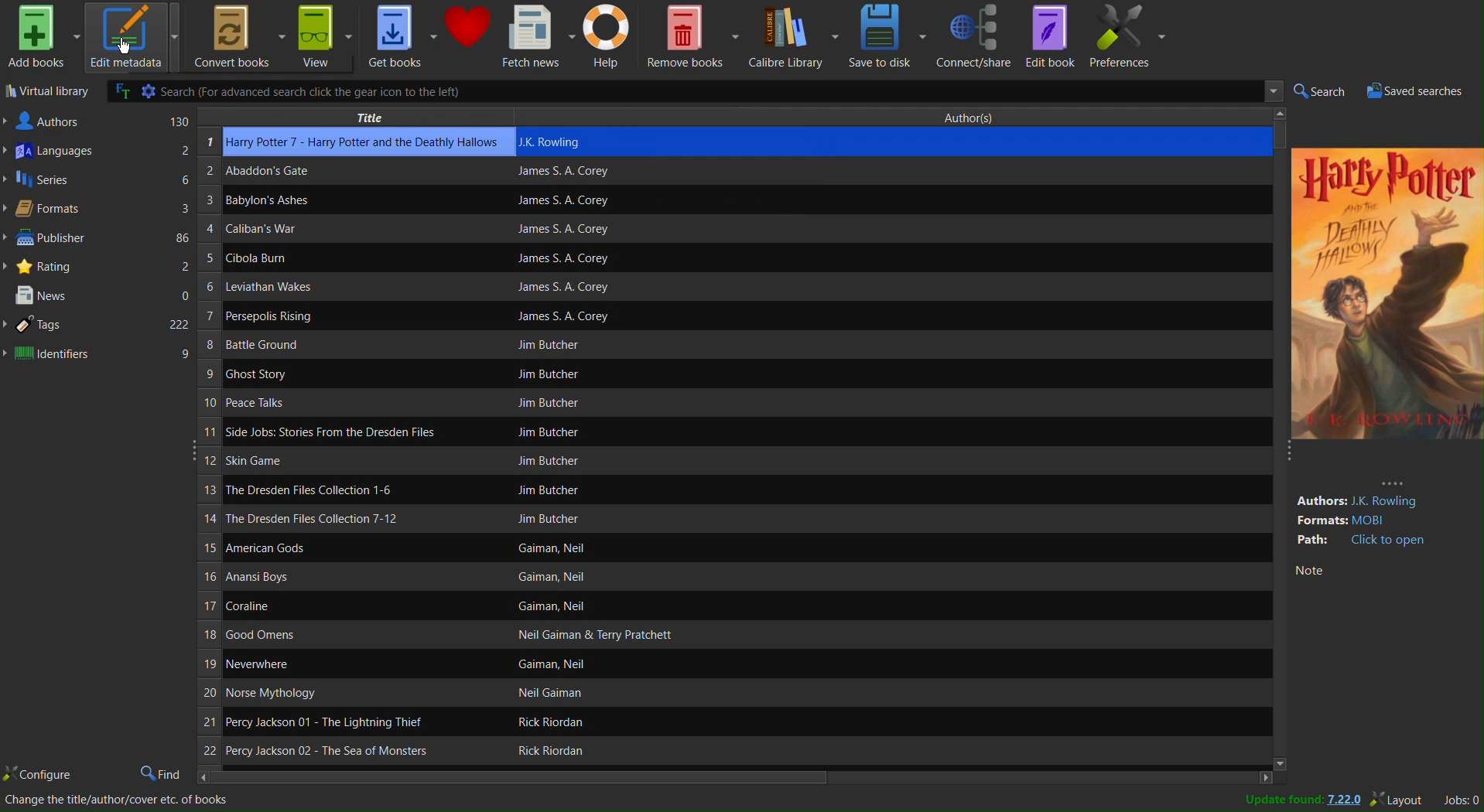 Image resolution: width=1484 pixels, height=812 pixels. What do you see at coordinates (745, 230) in the screenshot?
I see `Author’s name` at bounding box center [745, 230].